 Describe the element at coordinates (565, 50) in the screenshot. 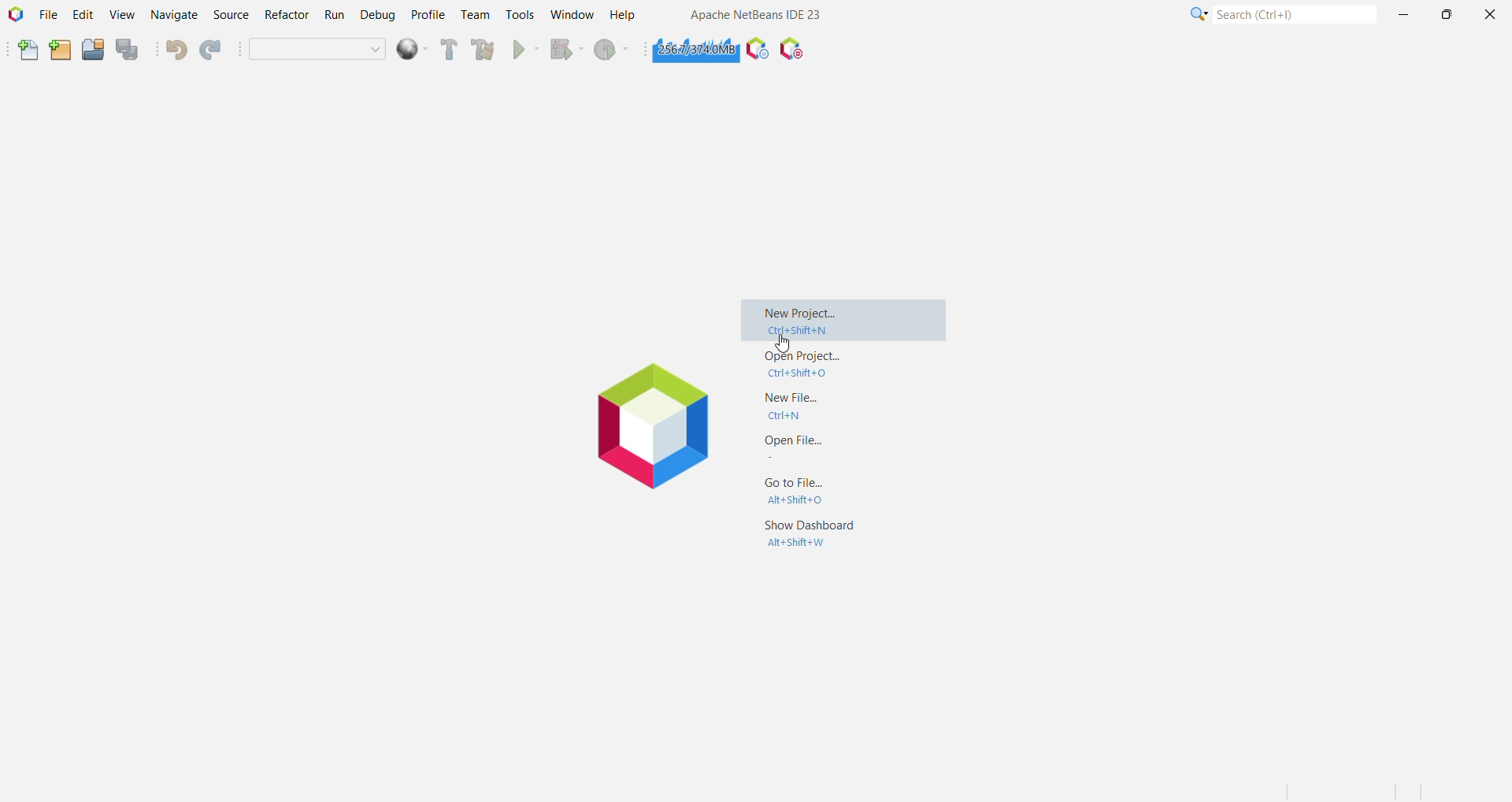

I see `Debug Project` at that location.